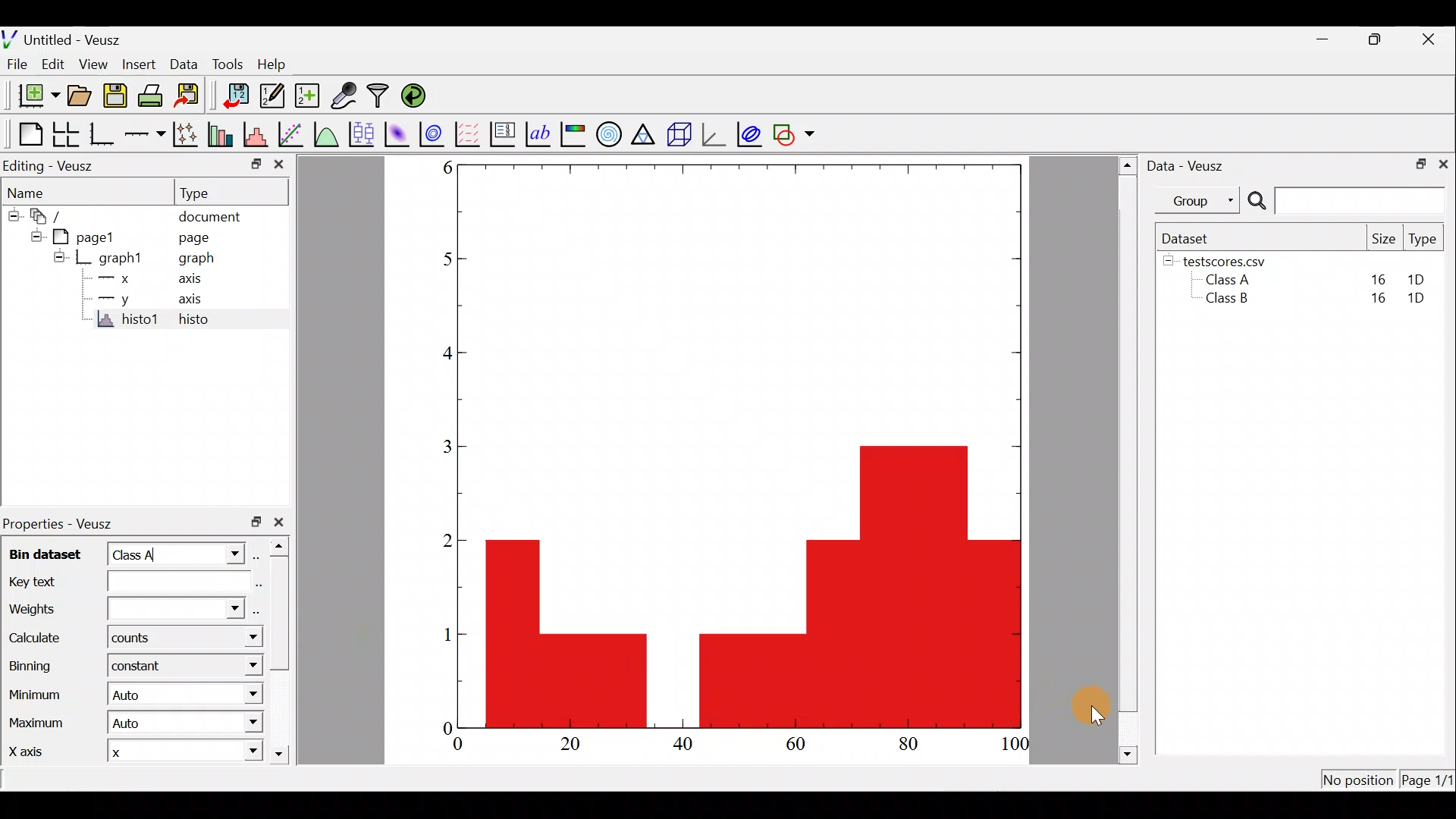  What do you see at coordinates (67, 134) in the screenshot?
I see `Arrange graphs in a grid` at bounding box center [67, 134].